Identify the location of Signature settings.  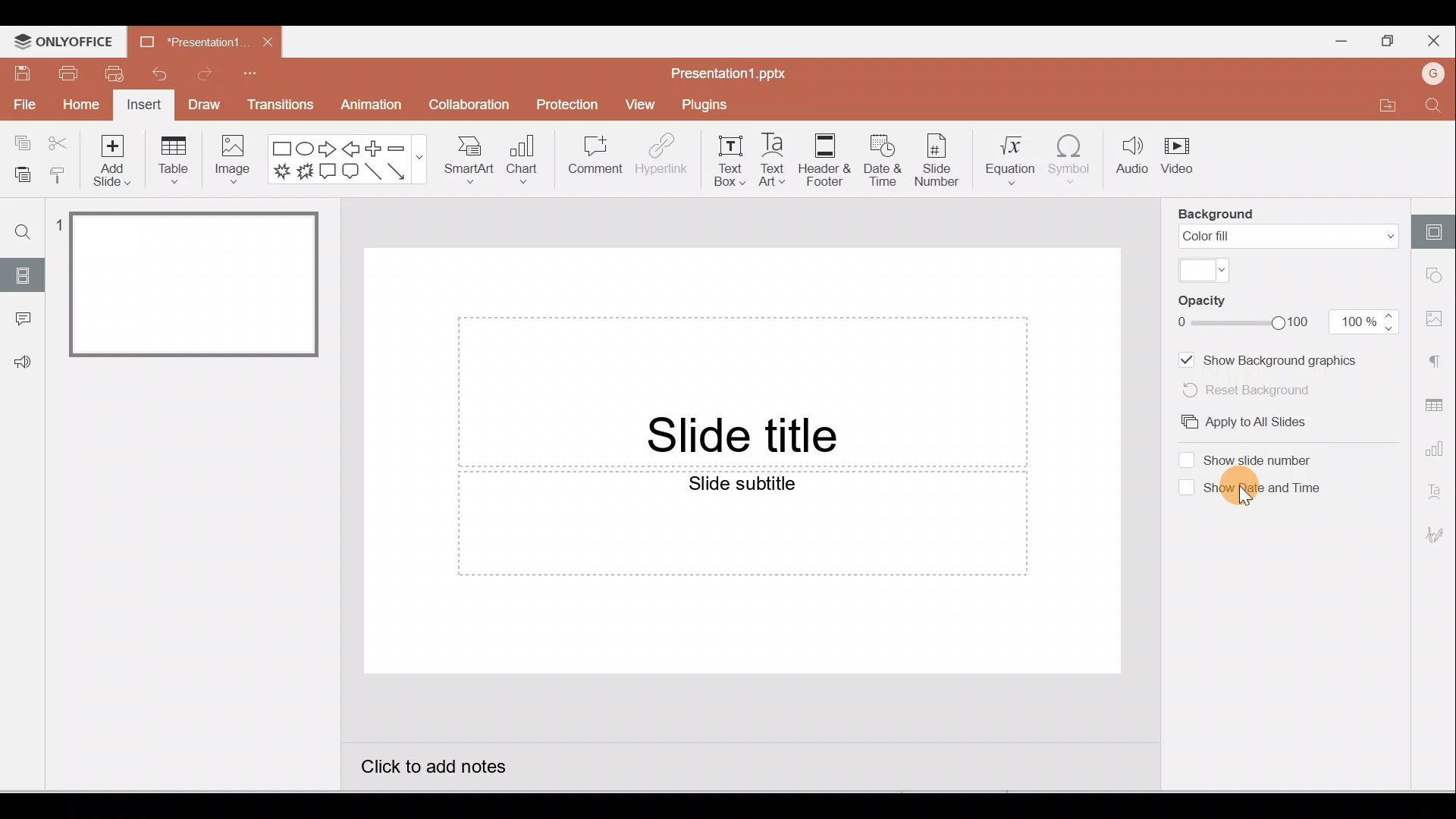
(1437, 538).